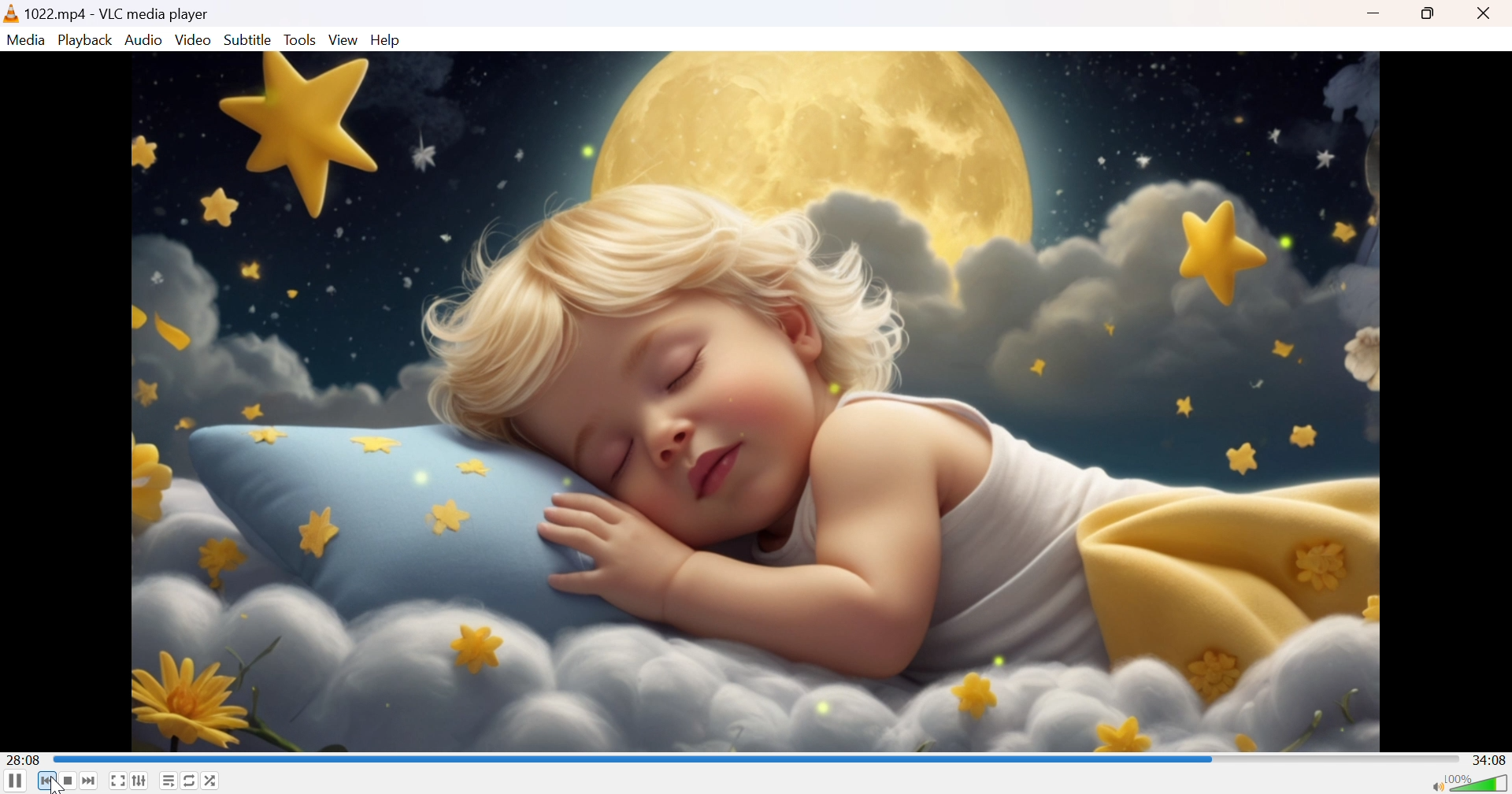  I want to click on Toggle playlist, so click(169, 781).